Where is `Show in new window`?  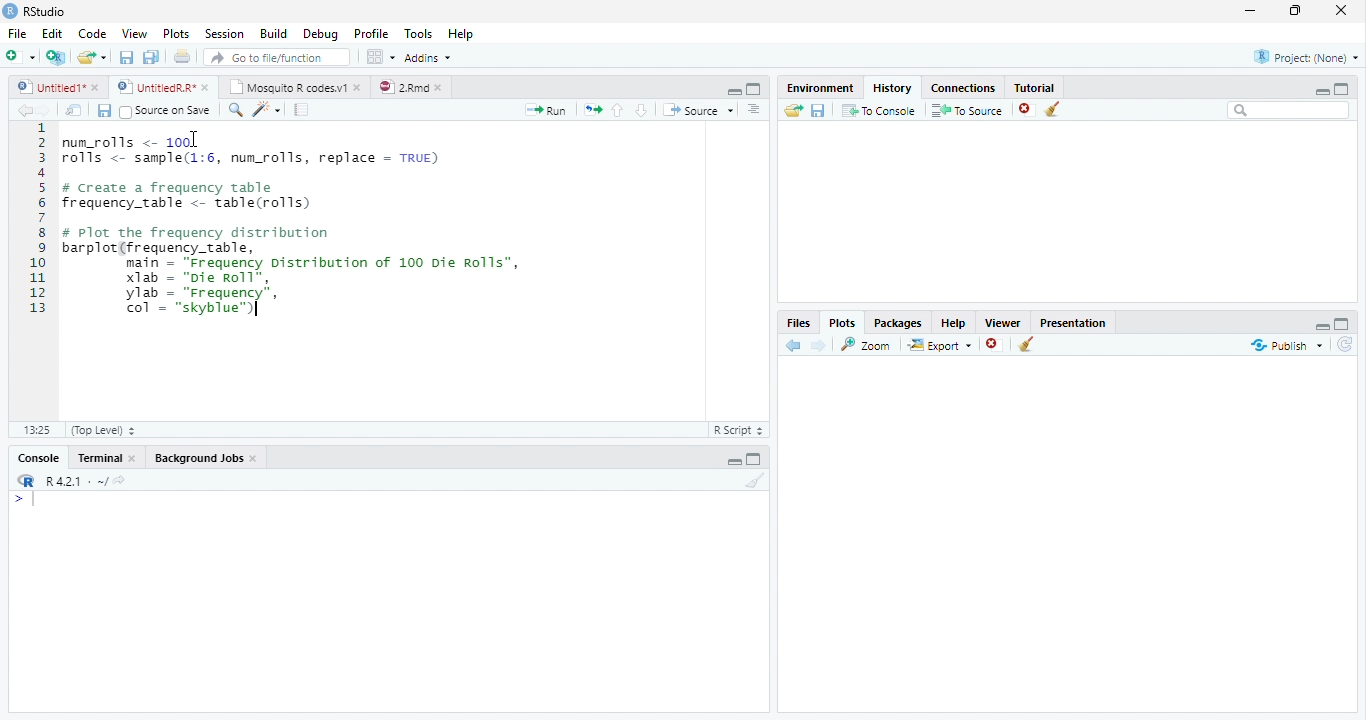
Show in new window is located at coordinates (76, 110).